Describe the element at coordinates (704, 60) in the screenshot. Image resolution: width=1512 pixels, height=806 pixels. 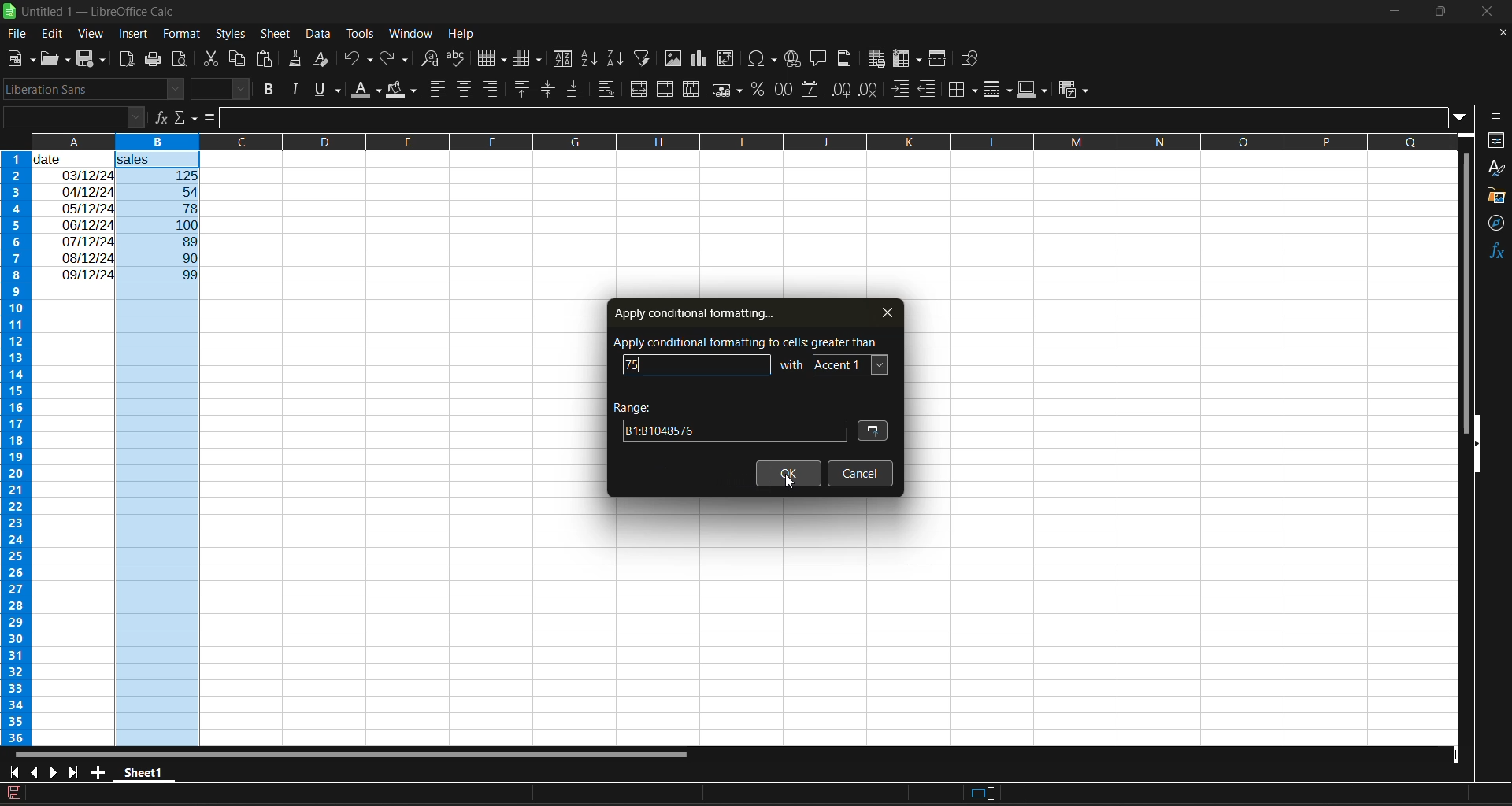
I see `insert chart` at that location.